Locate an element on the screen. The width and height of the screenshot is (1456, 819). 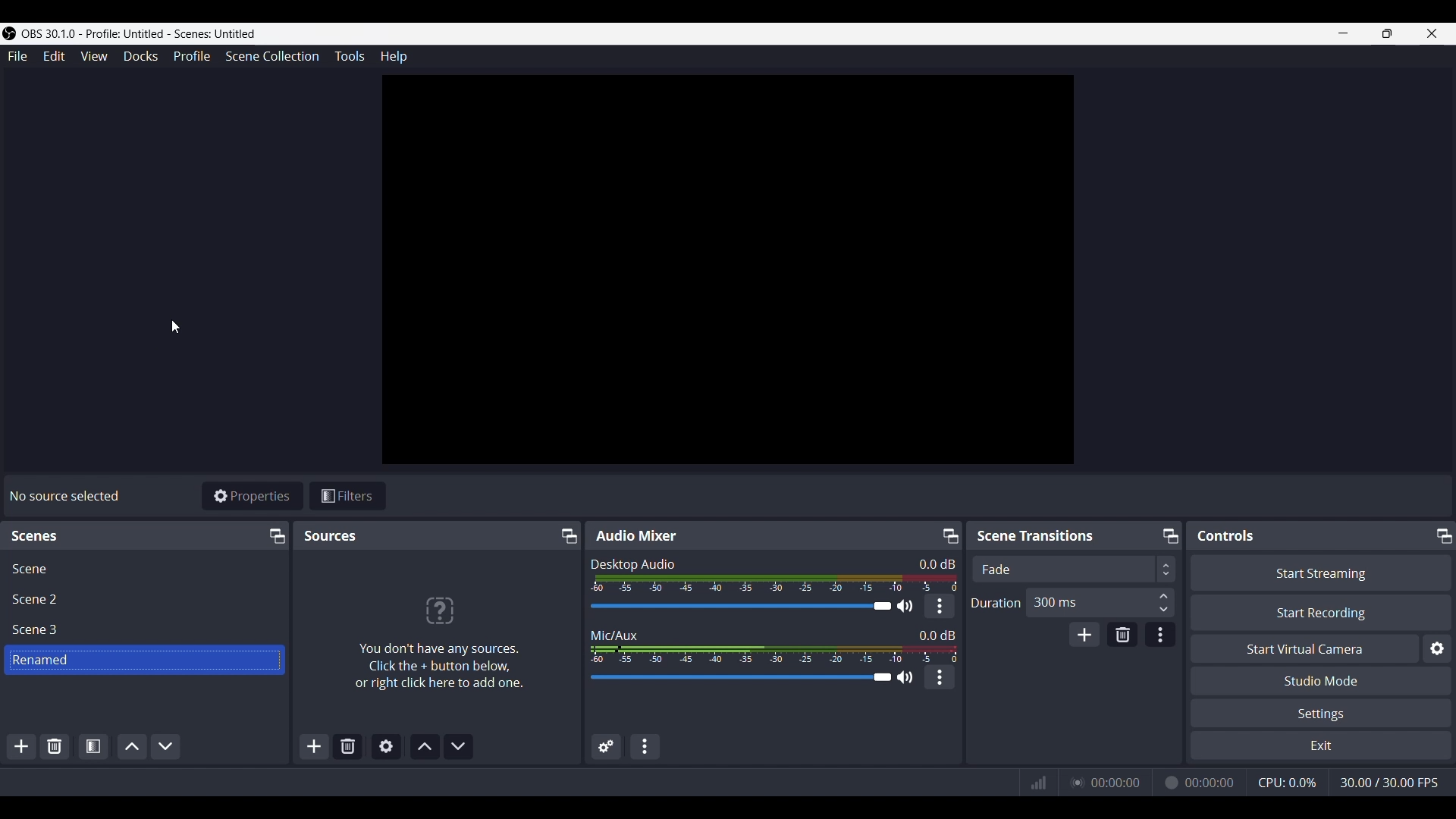
Audio Slider is located at coordinates (741, 678).